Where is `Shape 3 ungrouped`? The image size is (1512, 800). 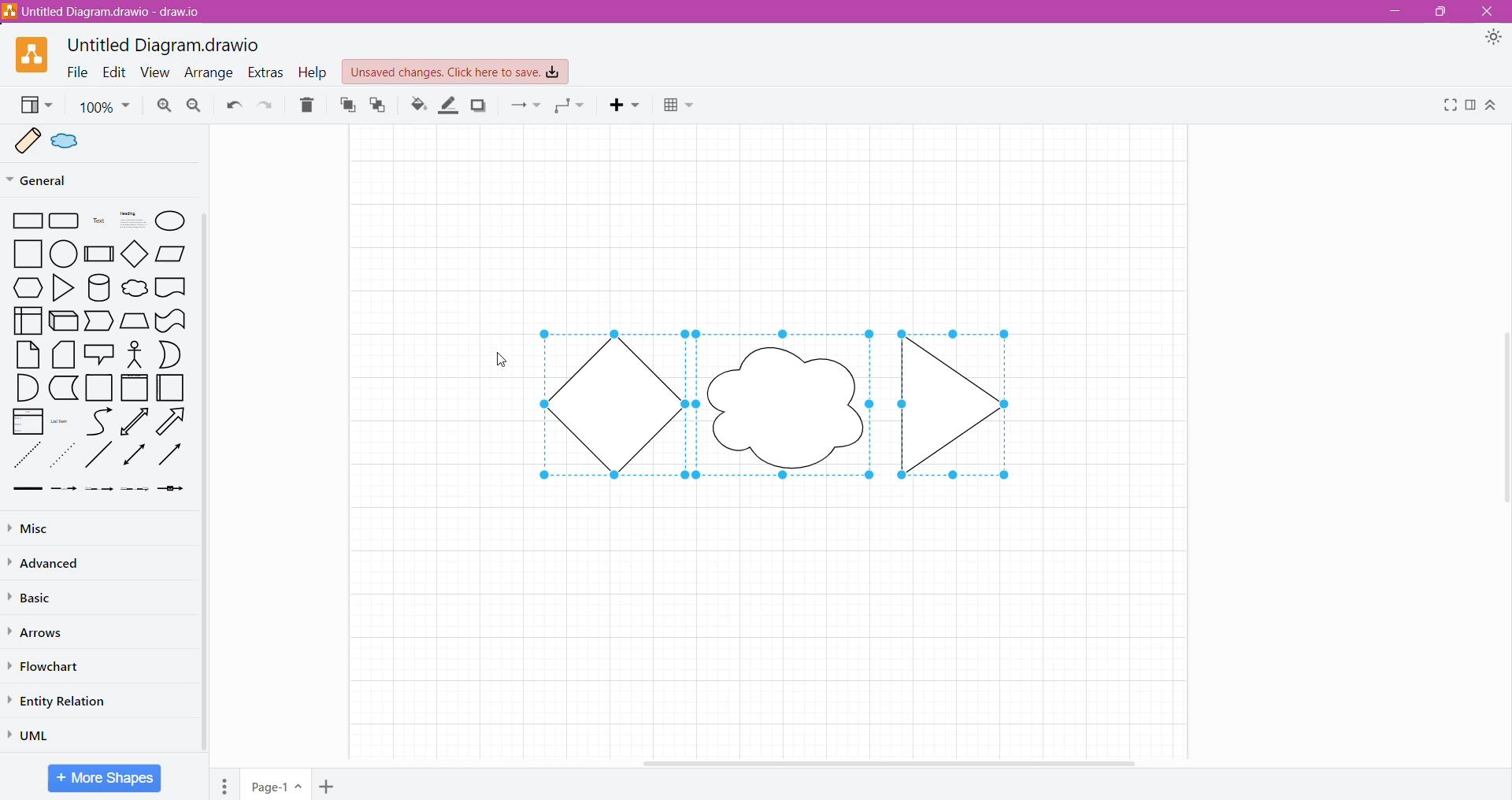
Shape 3 ungrouped is located at coordinates (969, 401).